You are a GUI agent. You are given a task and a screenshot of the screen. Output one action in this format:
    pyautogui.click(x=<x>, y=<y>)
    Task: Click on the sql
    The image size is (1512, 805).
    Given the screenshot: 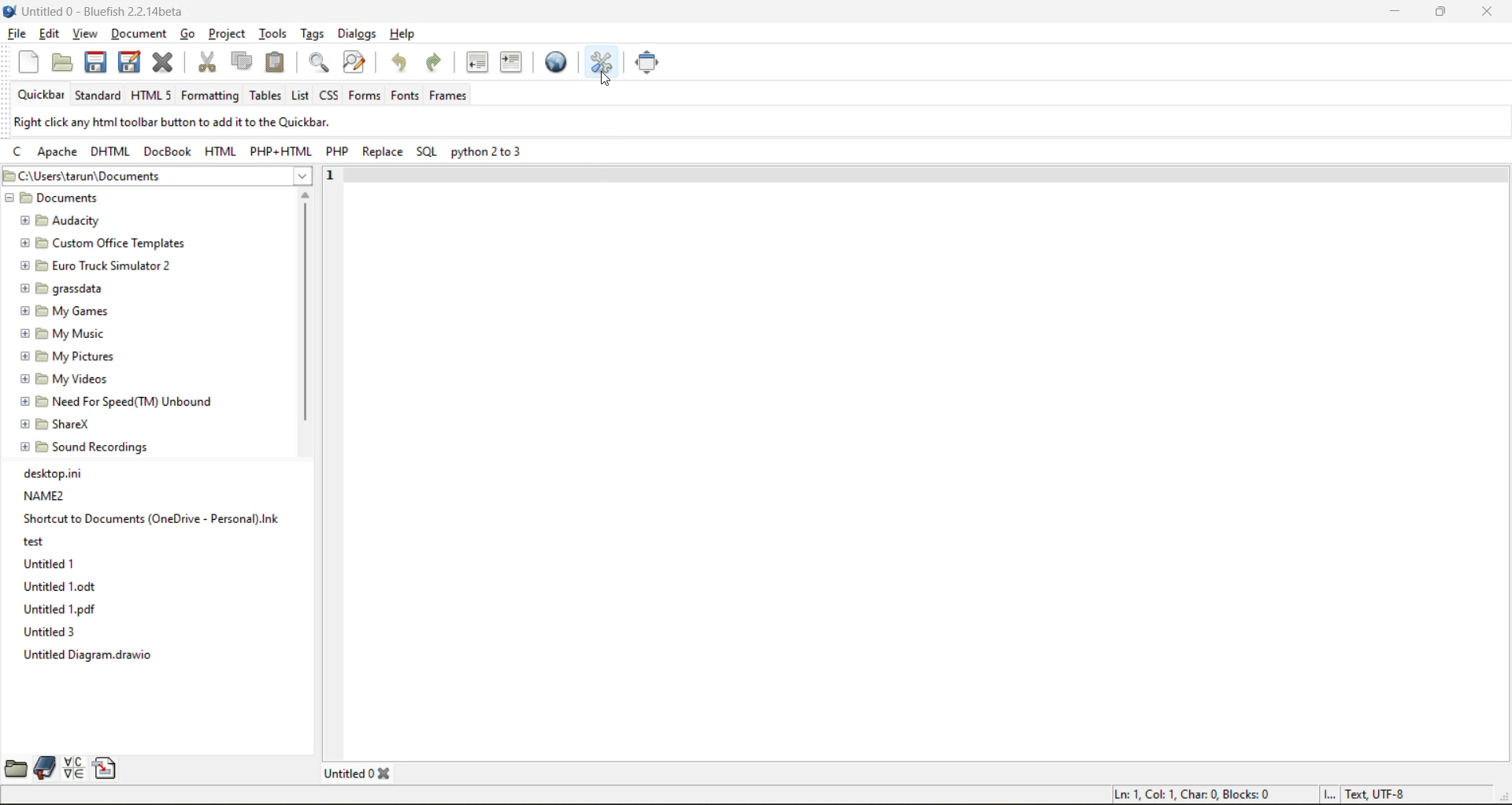 What is the action you would take?
    pyautogui.click(x=428, y=154)
    